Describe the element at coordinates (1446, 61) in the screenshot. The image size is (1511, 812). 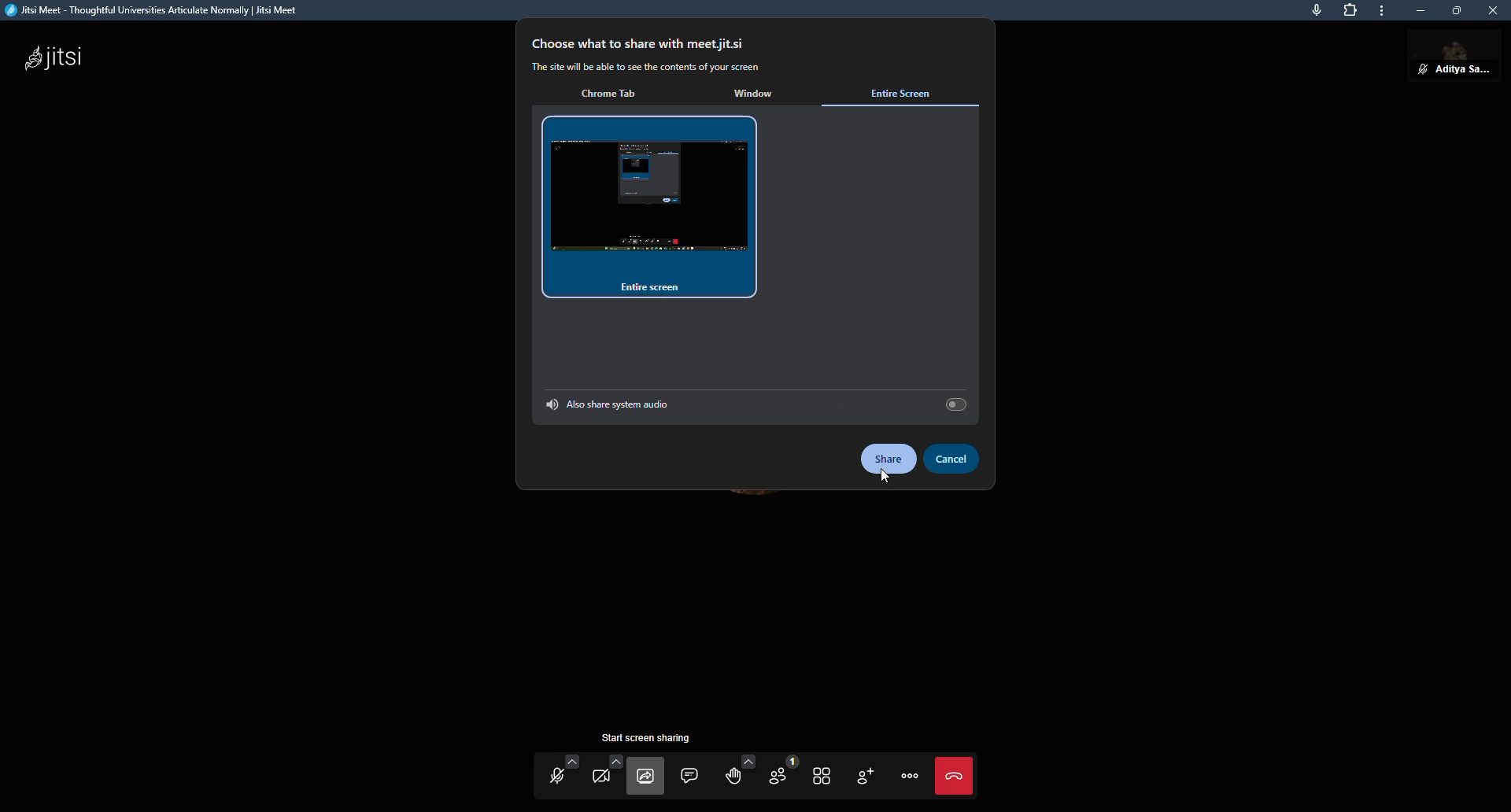
I see `aditya sarkar` at that location.